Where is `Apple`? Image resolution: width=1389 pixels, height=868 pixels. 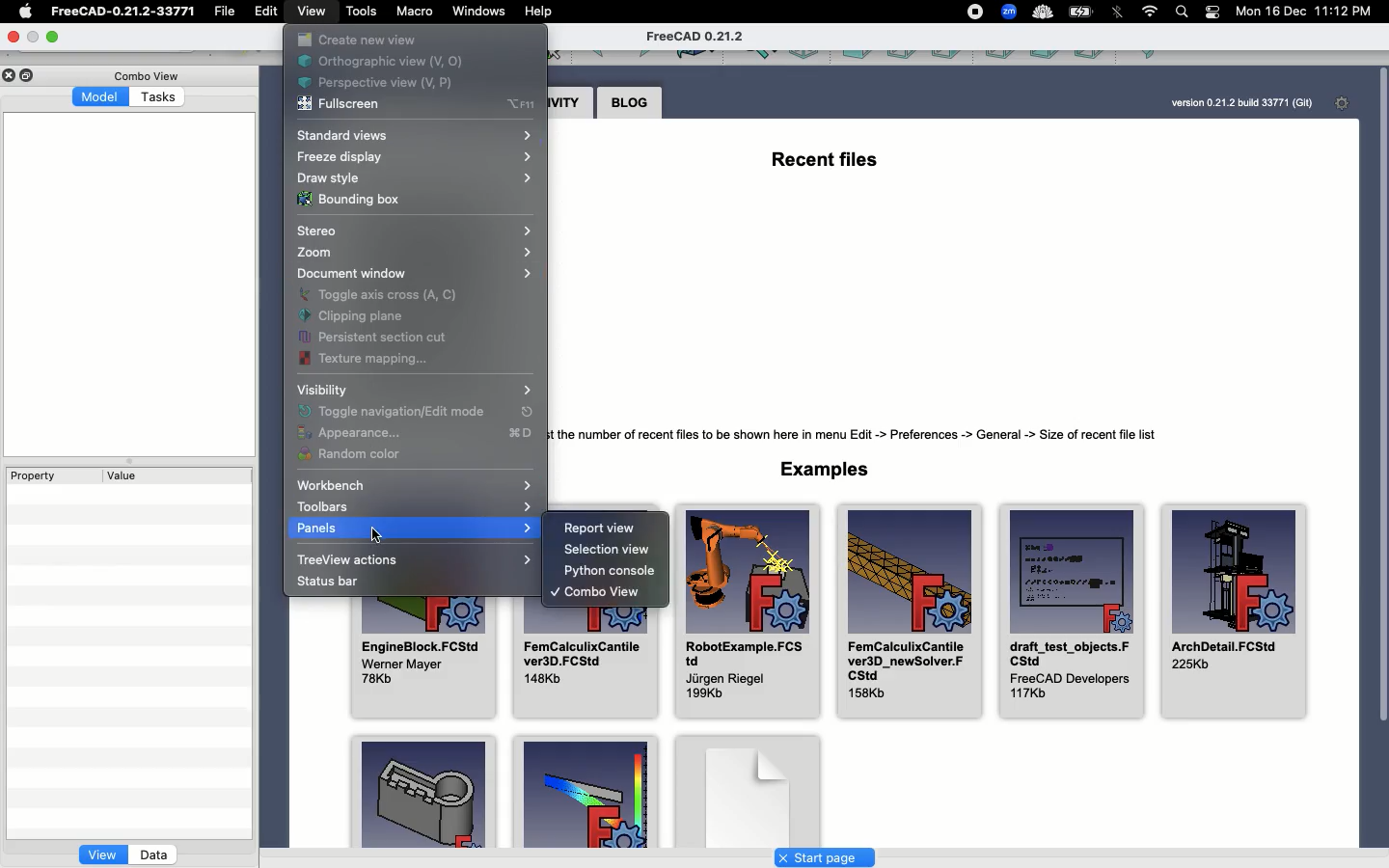 Apple is located at coordinates (29, 12).